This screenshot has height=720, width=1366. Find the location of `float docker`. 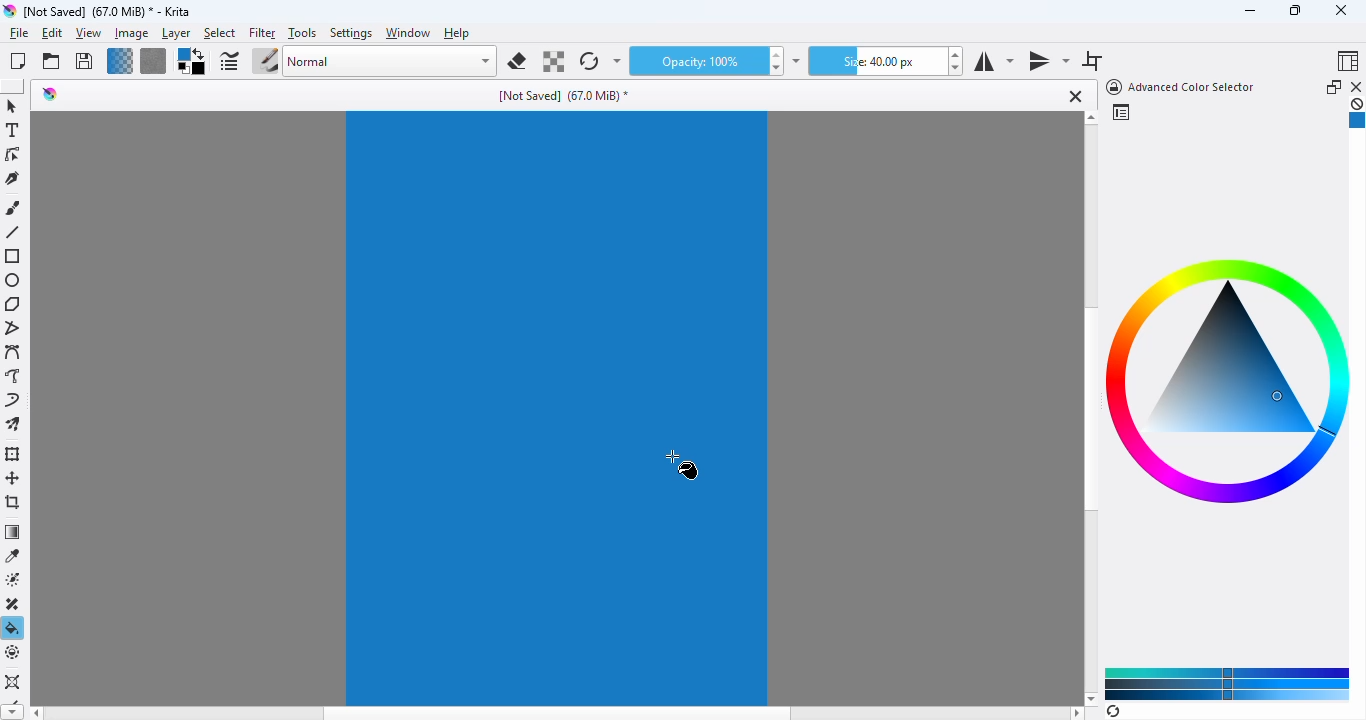

float docker is located at coordinates (1334, 86).